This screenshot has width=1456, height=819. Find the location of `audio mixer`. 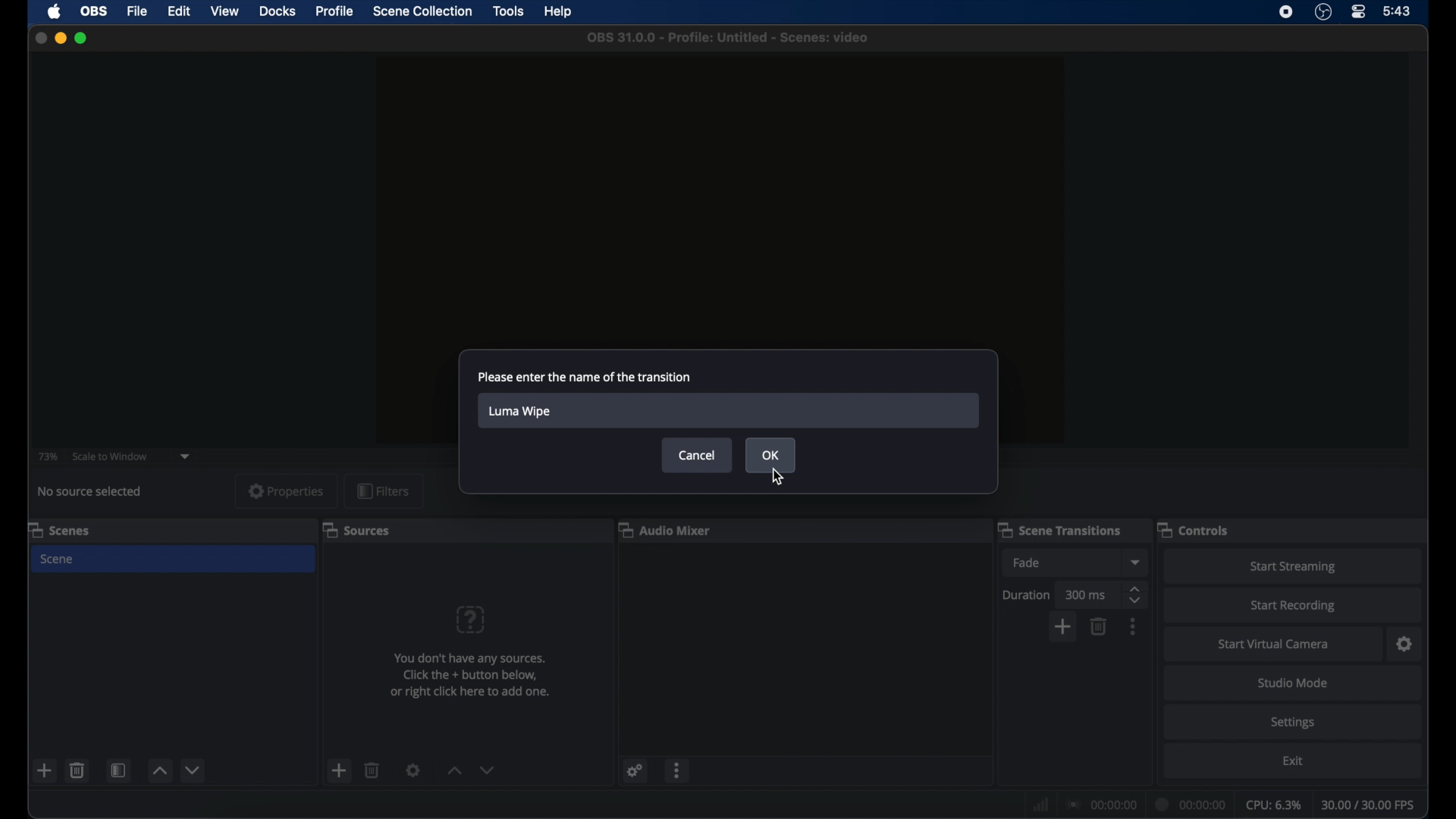

audio mixer is located at coordinates (665, 529).